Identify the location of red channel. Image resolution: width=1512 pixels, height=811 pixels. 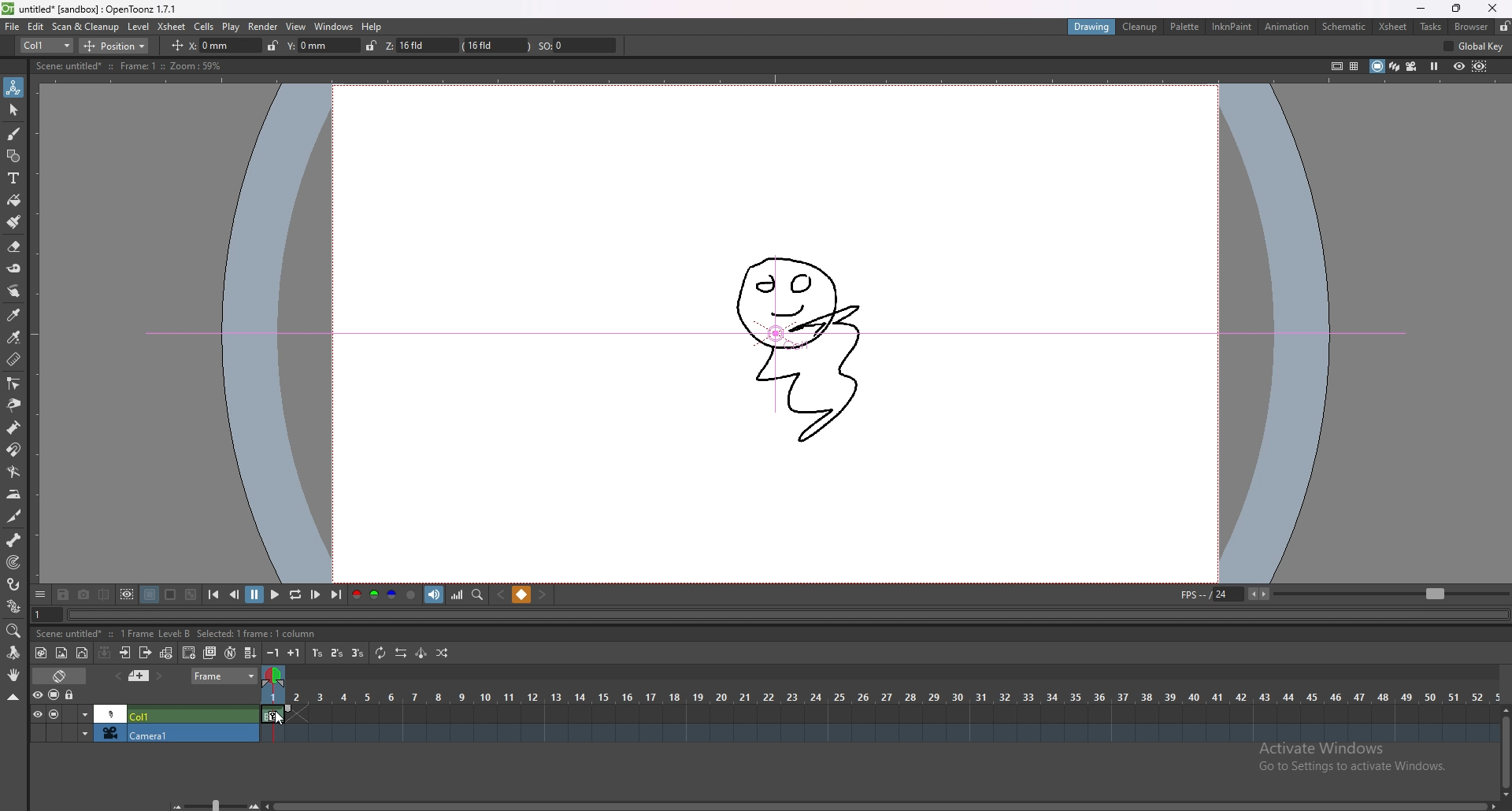
(357, 594).